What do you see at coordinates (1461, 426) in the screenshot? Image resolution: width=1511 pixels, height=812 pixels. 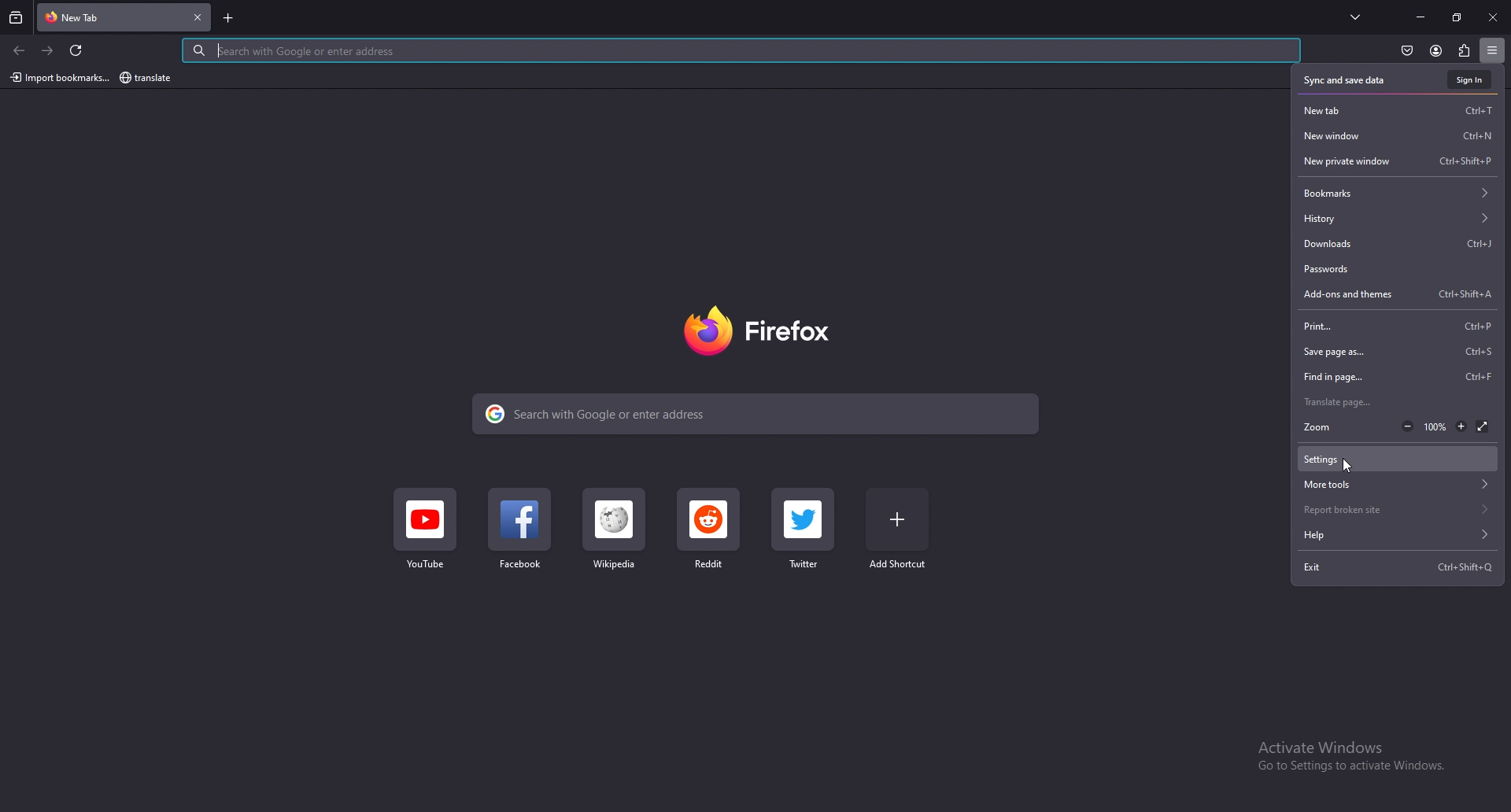 I see `zoom in` at bounding box center [1461, 426].